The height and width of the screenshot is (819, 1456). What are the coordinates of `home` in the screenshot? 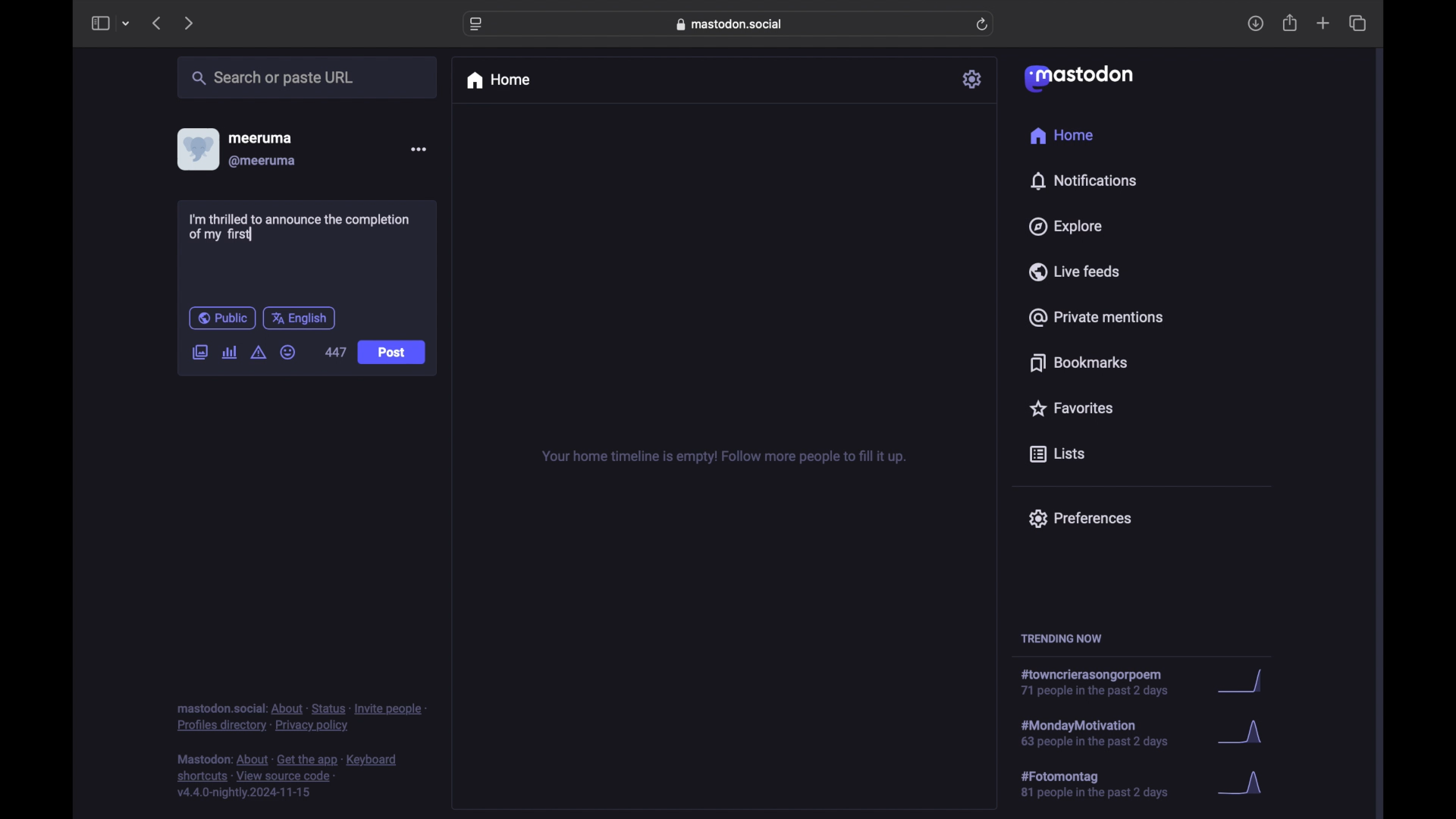 It's located at (1063, 135).